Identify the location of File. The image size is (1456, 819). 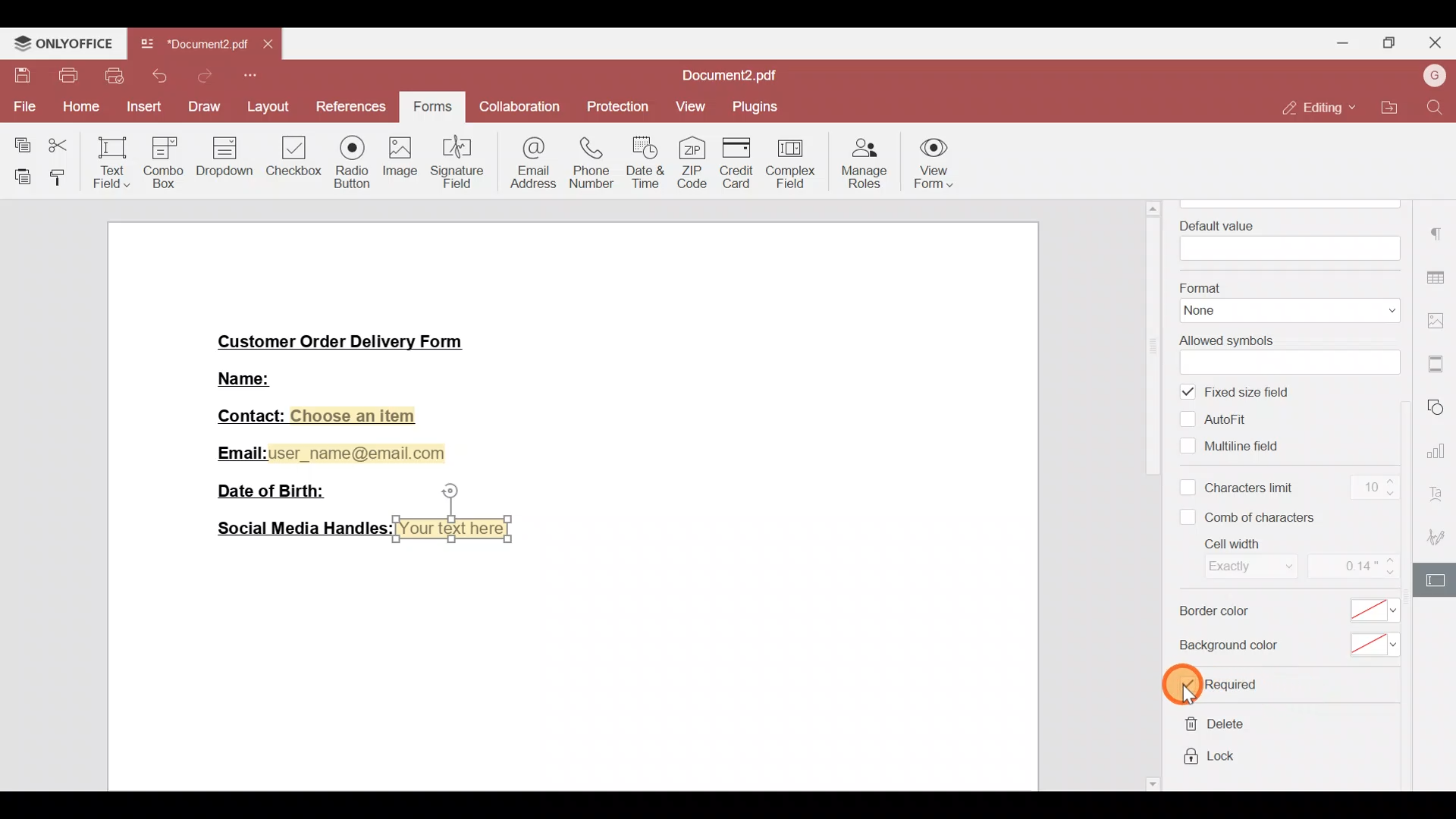
(24, 106).